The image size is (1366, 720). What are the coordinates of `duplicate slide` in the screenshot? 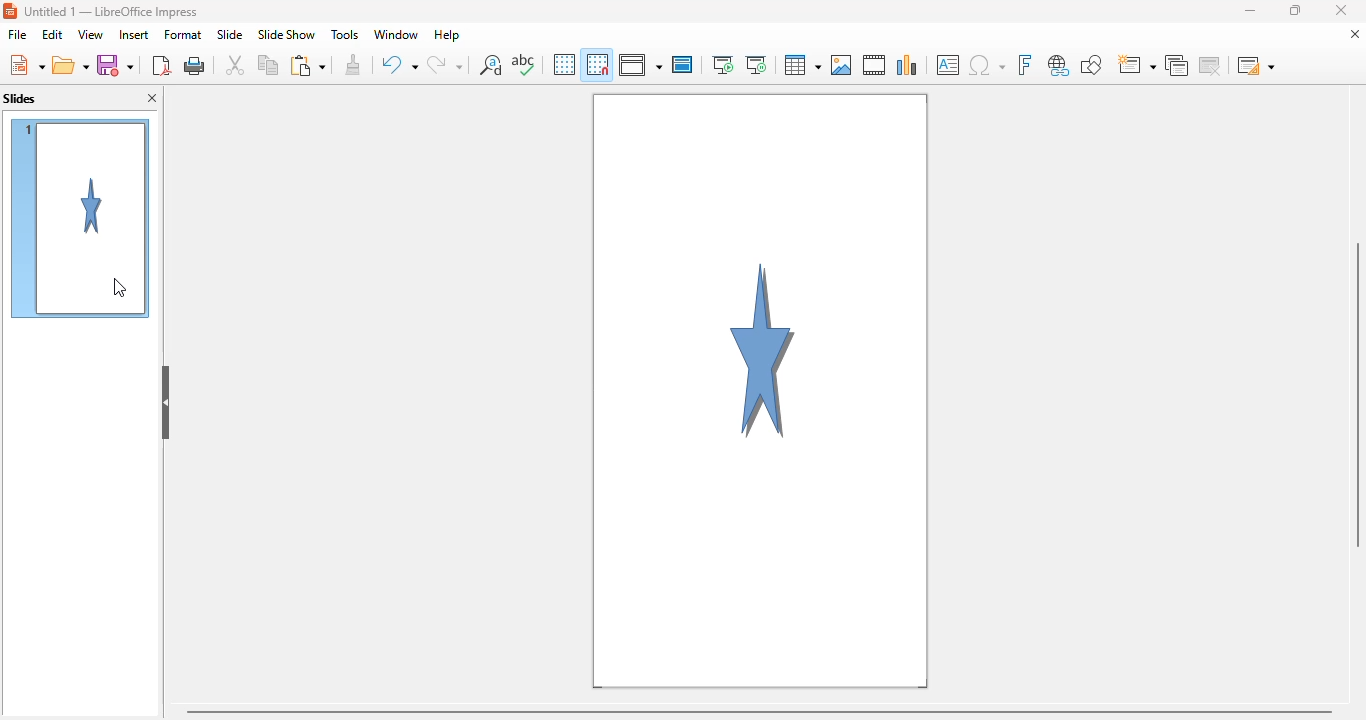 It's located at (1176, 65).